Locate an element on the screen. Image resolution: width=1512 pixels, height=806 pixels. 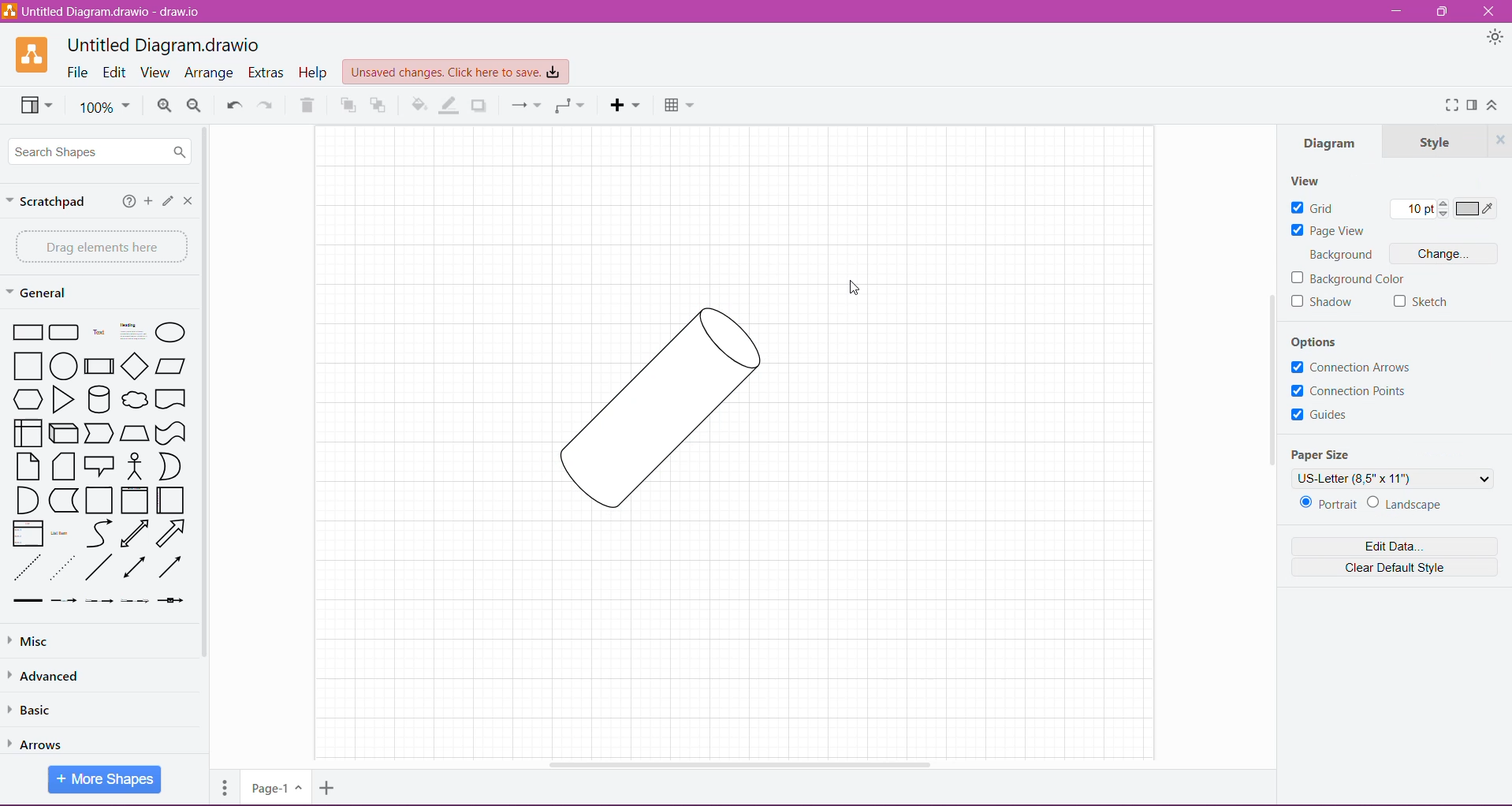
Stretch is located at coordinates (1424, 304).